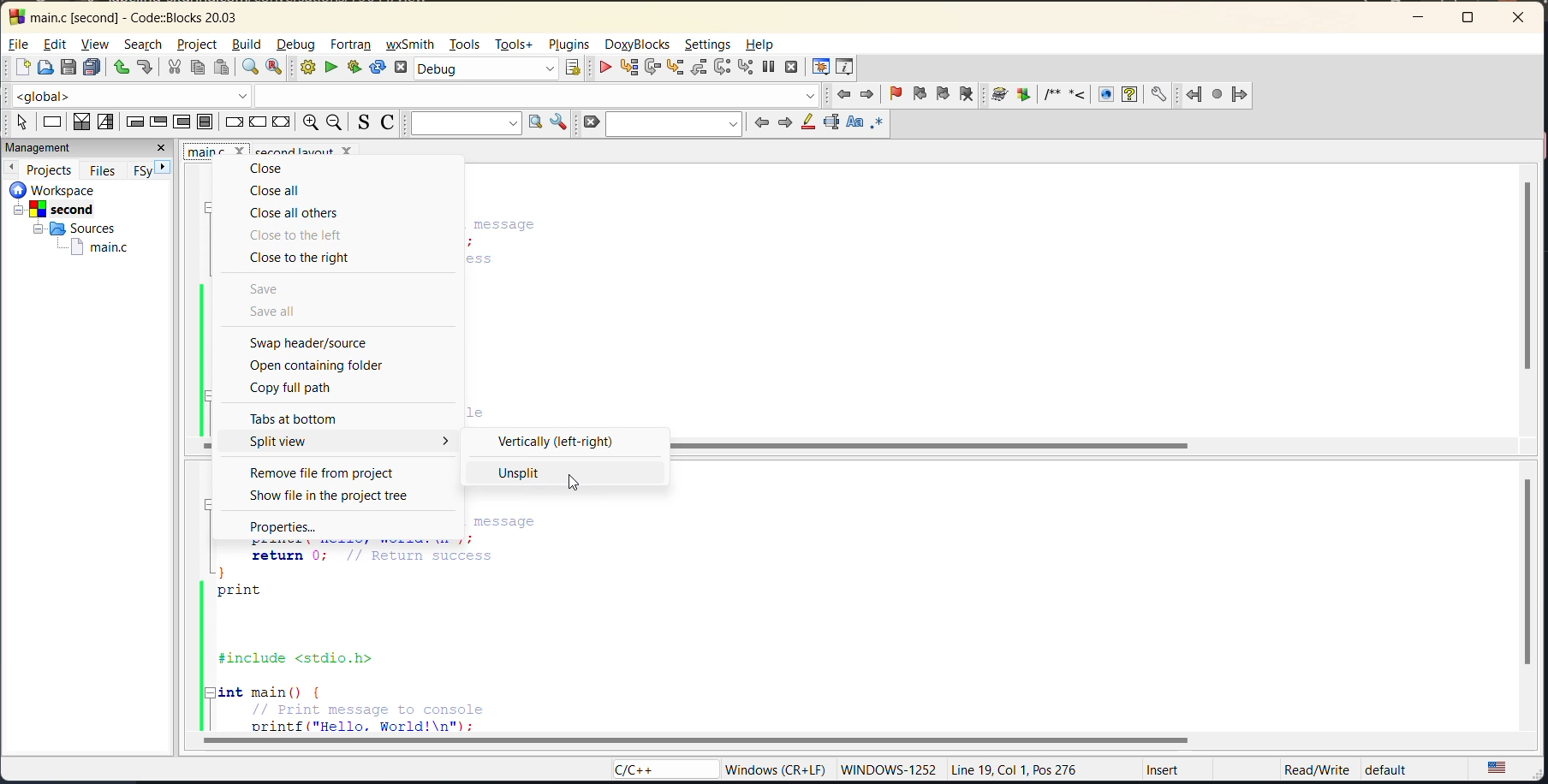 This screenshot has height=784, width=1548. Describe the element at coordinates (297, 387) in the screenshot. I see `copy full path` at that location.